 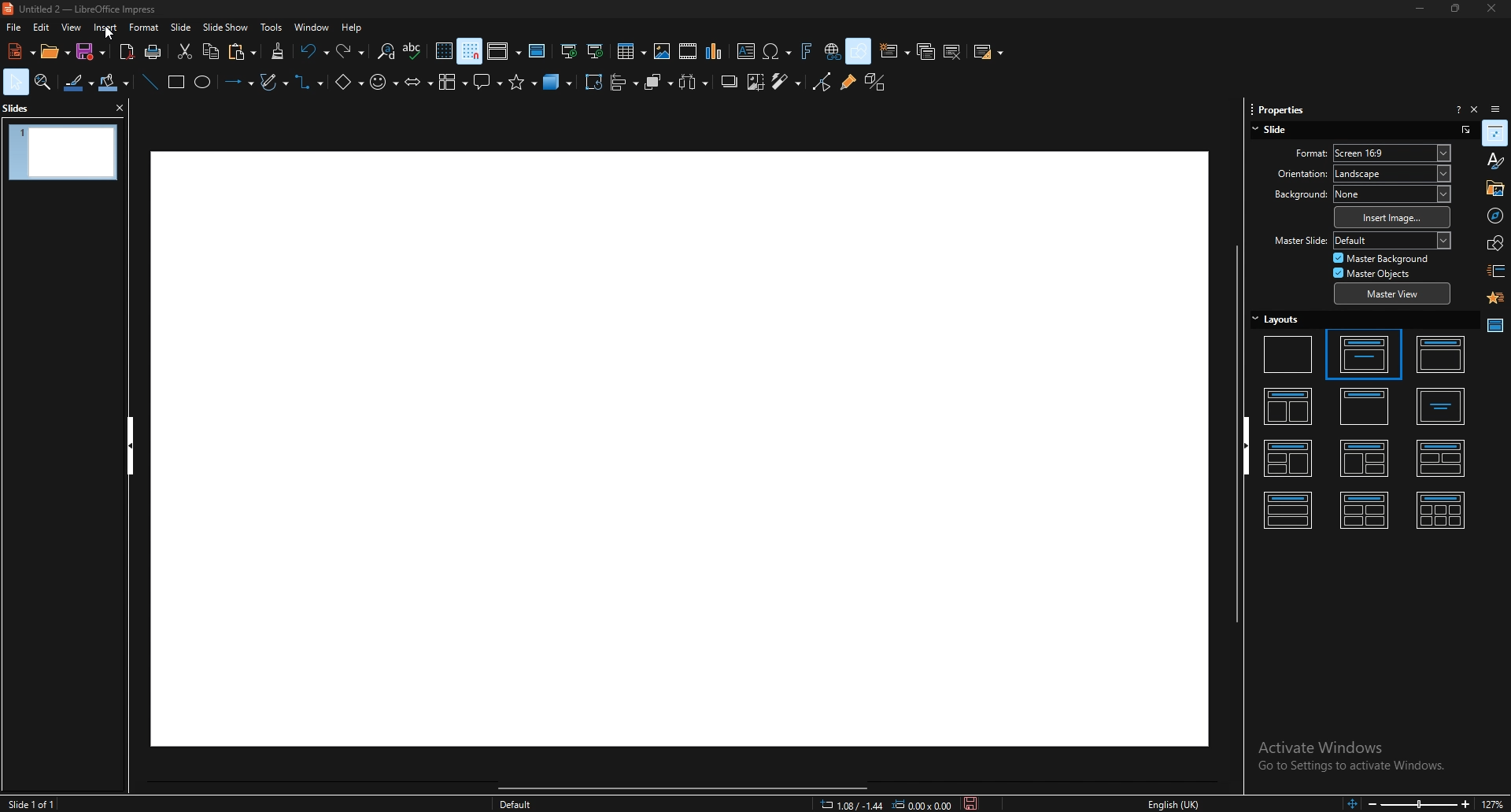 What do you see at coordinates (211, 52) in the screenshot?
I see `copy` at bounding box center [211, 52].